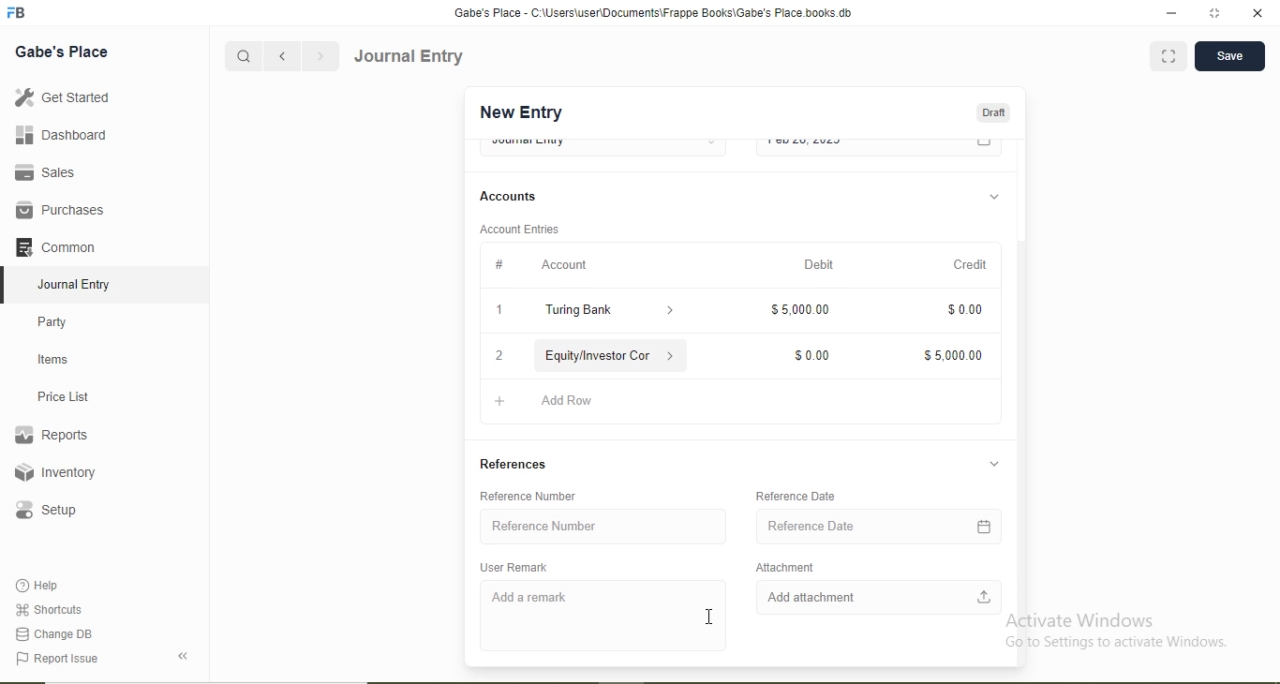  Describe the element at coordinates (671, 356) in the screenshot. I see `Dropdown` at that location.